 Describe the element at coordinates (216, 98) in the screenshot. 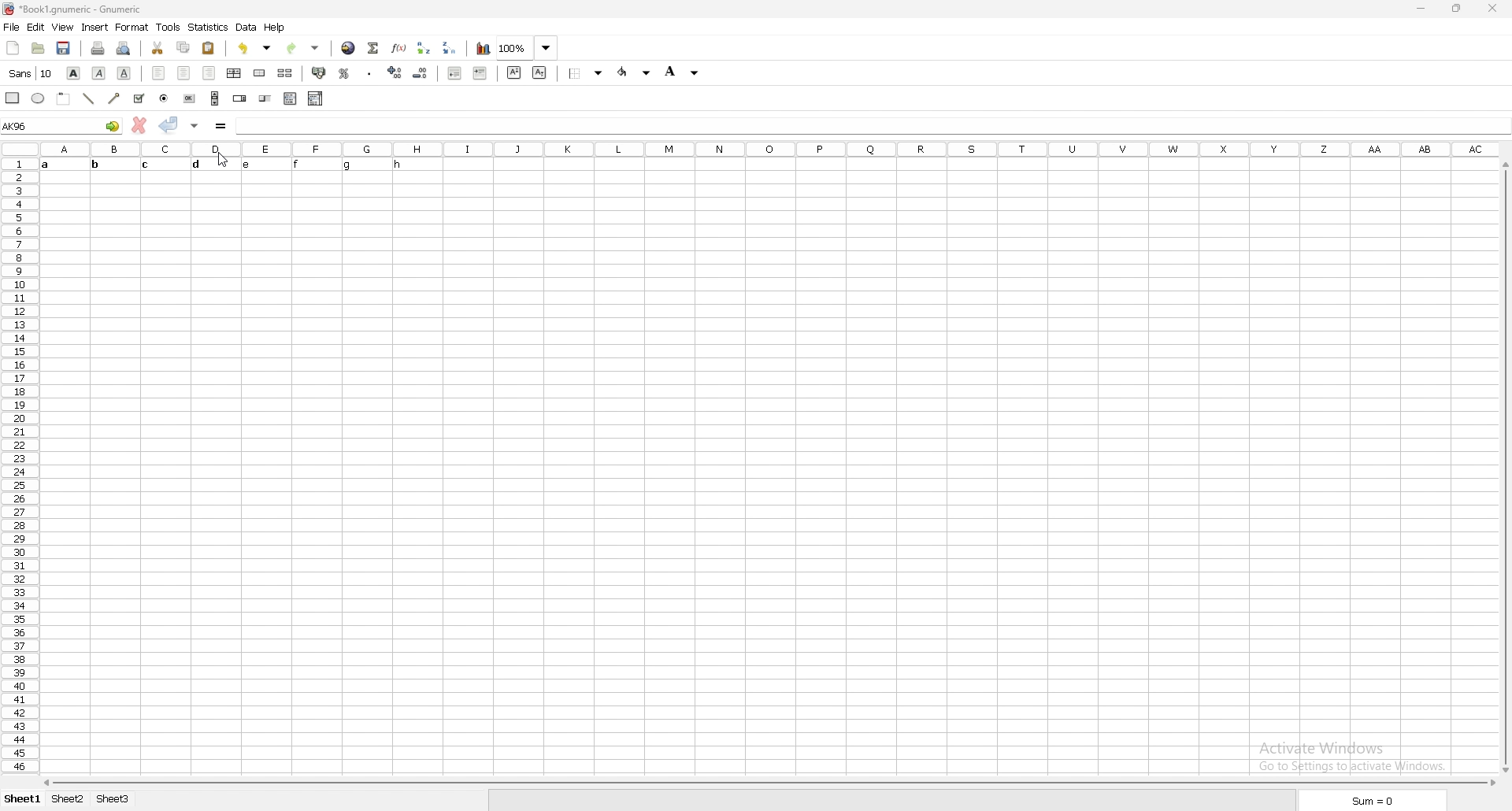

I see `scroll bar` at that location.